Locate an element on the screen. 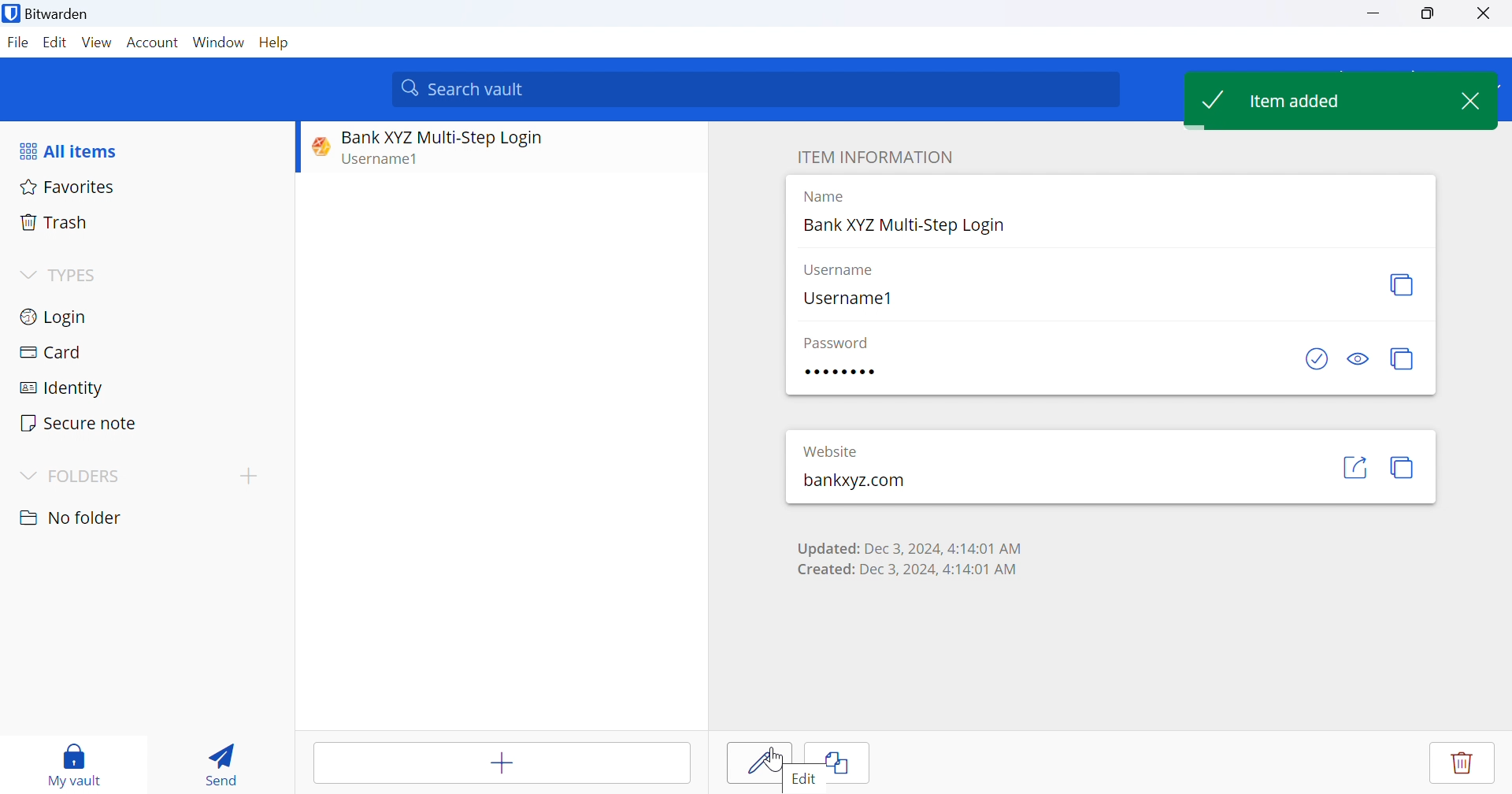 The image size is (1512, 794). File is located at coordinates (17, 43).